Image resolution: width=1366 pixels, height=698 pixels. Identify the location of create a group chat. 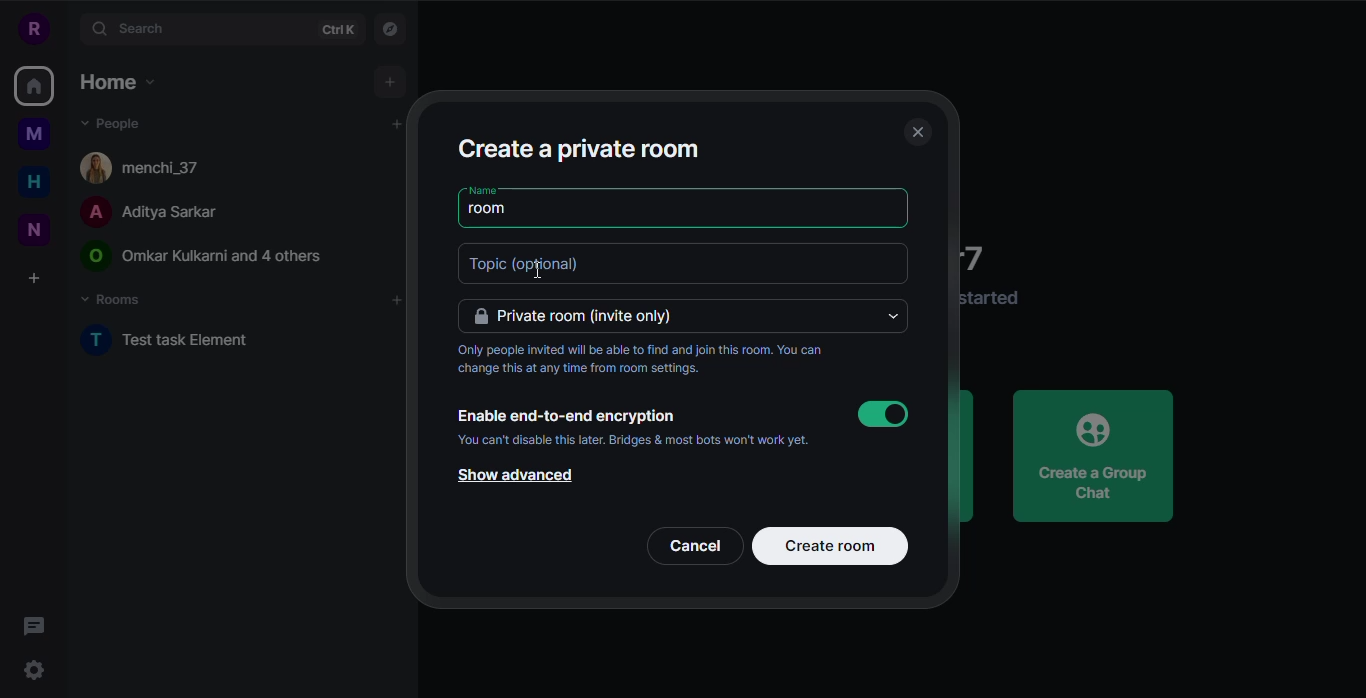
(1094, 455).